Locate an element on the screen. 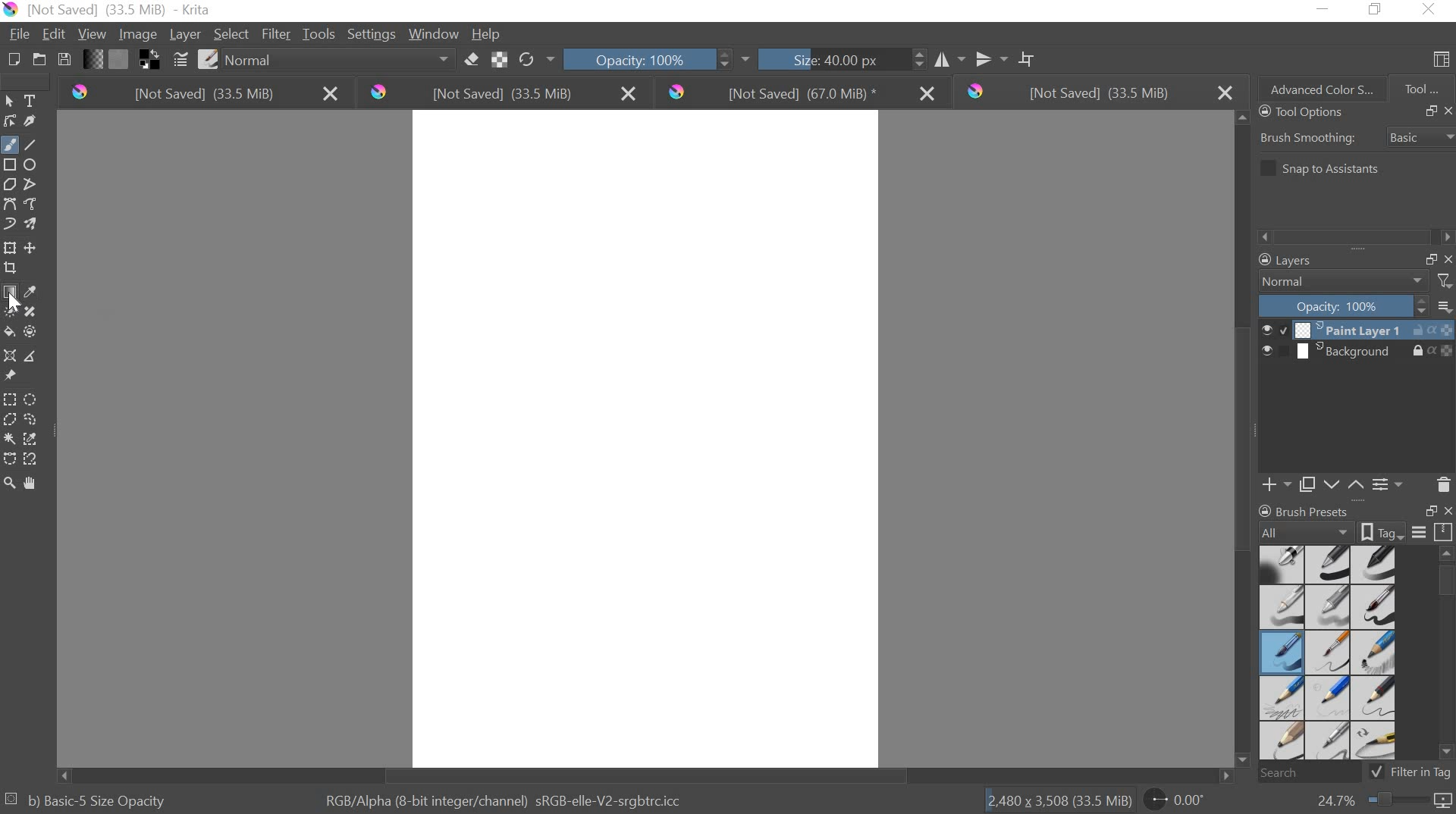 Image resolution: width=1456 pixels, height=814 pixels. polygon is located at coordinates (11, 183).